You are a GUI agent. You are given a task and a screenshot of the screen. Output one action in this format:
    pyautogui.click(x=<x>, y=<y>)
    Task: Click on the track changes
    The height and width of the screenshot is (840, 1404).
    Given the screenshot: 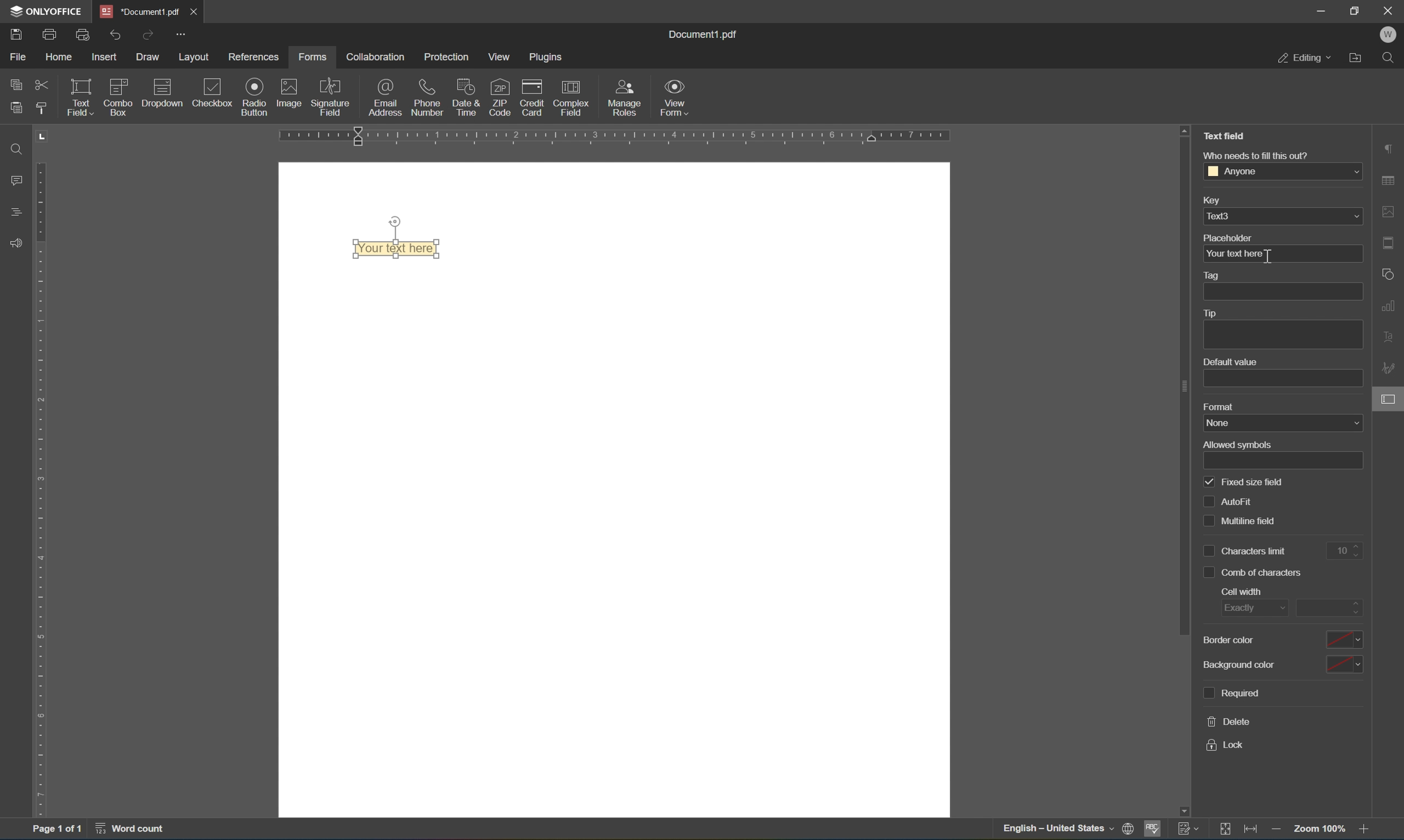 What is the action you would take?
    pyautogui.click(x=1192, y=830)
    